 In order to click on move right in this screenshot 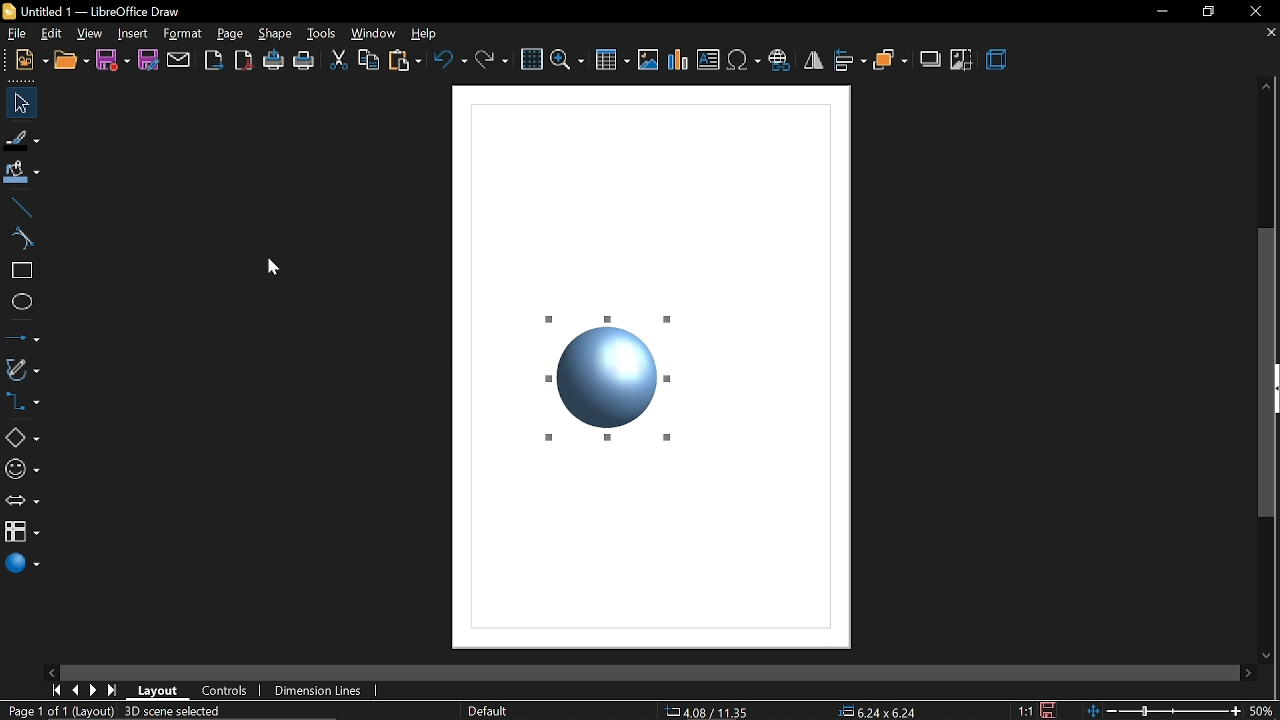, I will do `click(1250, 672)`.